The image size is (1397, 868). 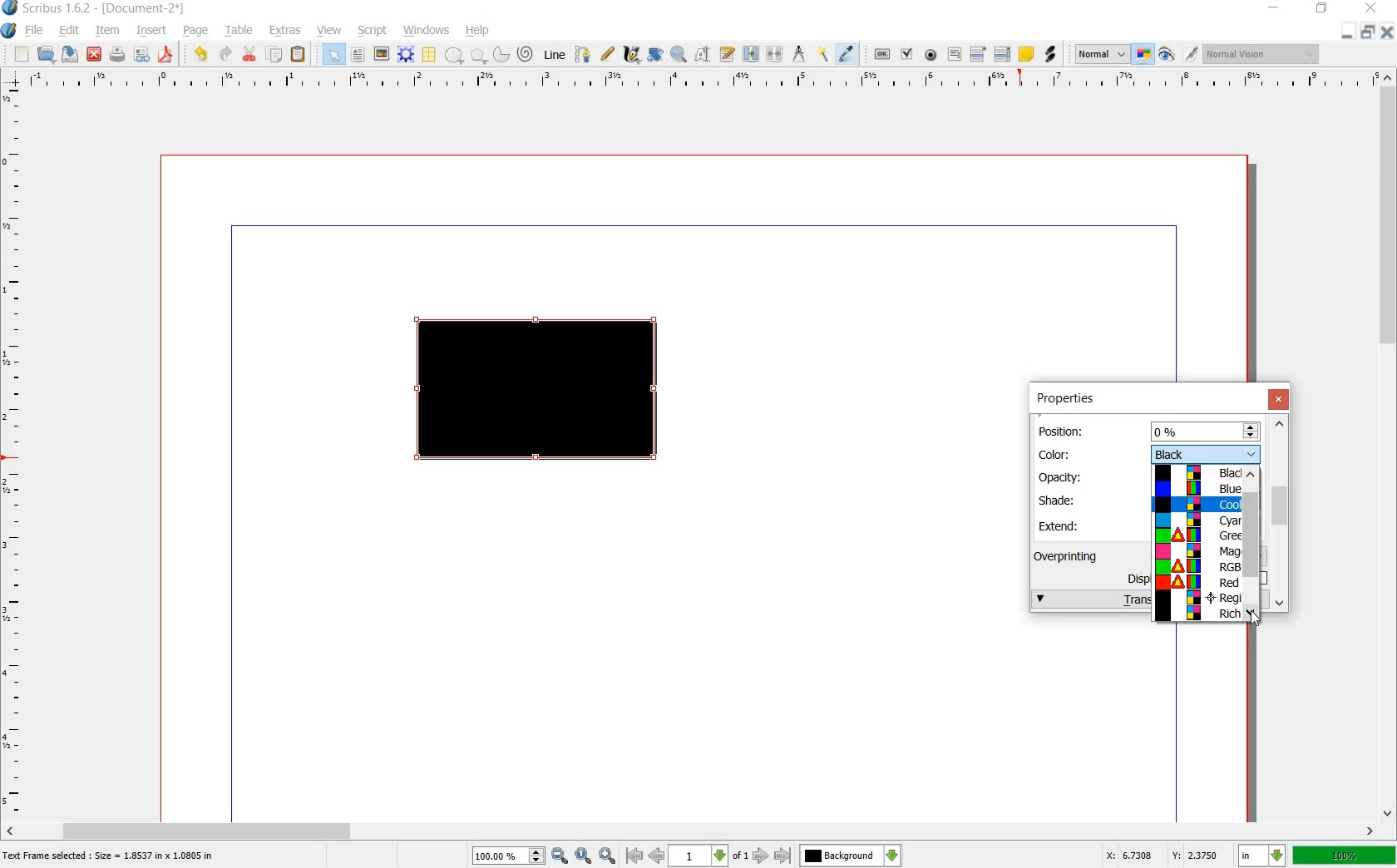 I want to click on link annotation, so click(x=1049, y=55).